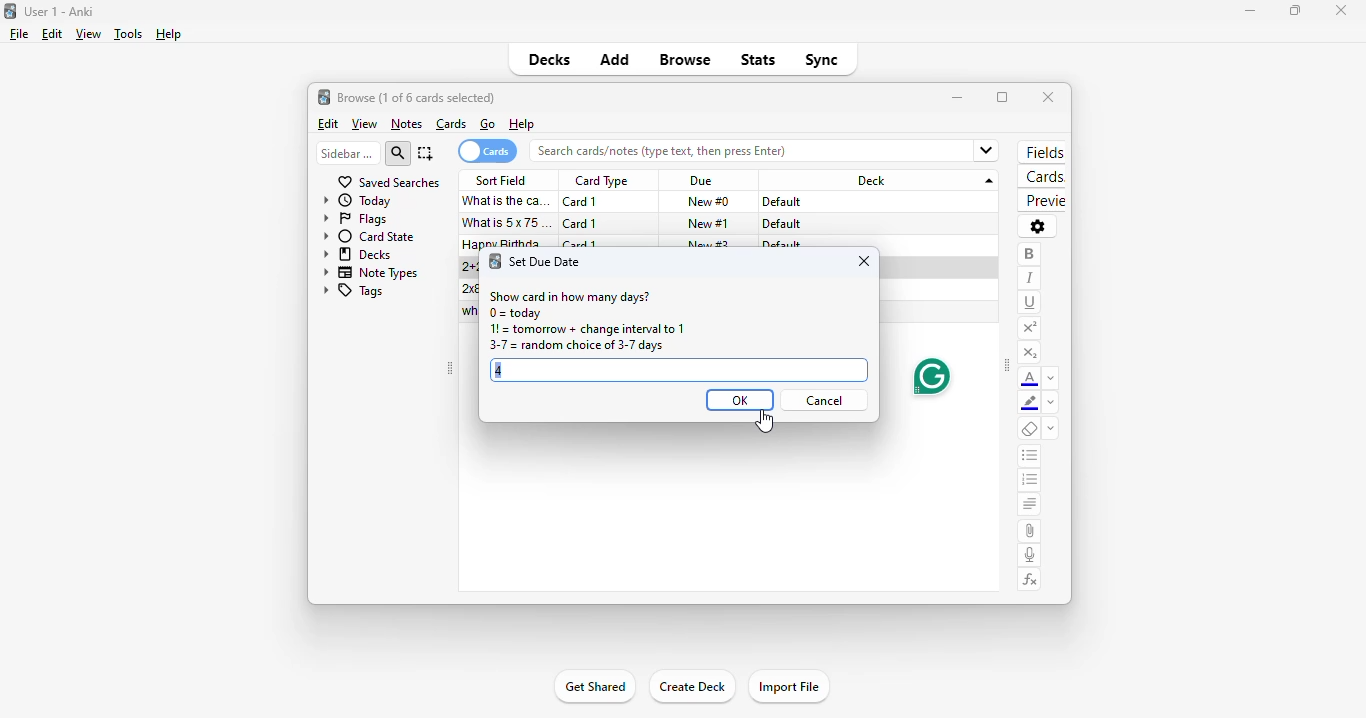 Image resolution: width=1366 pixels, height=718 pixels. What do you see at coordinates (758, 59) in the screenshot?
I see `stats` at bounding box center [758, 59].